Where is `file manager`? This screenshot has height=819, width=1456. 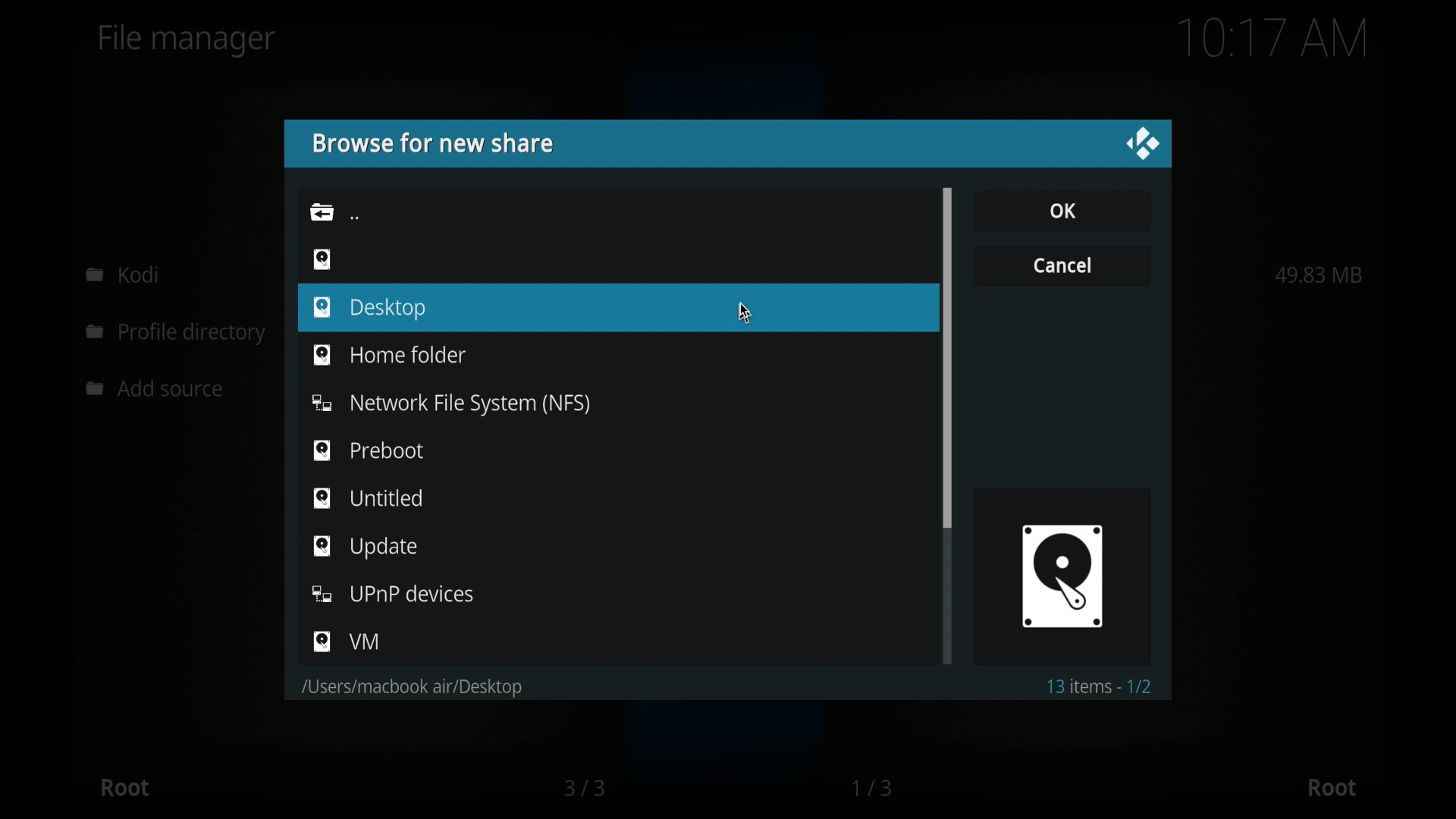 file manager is located at coordinates (187, 40).